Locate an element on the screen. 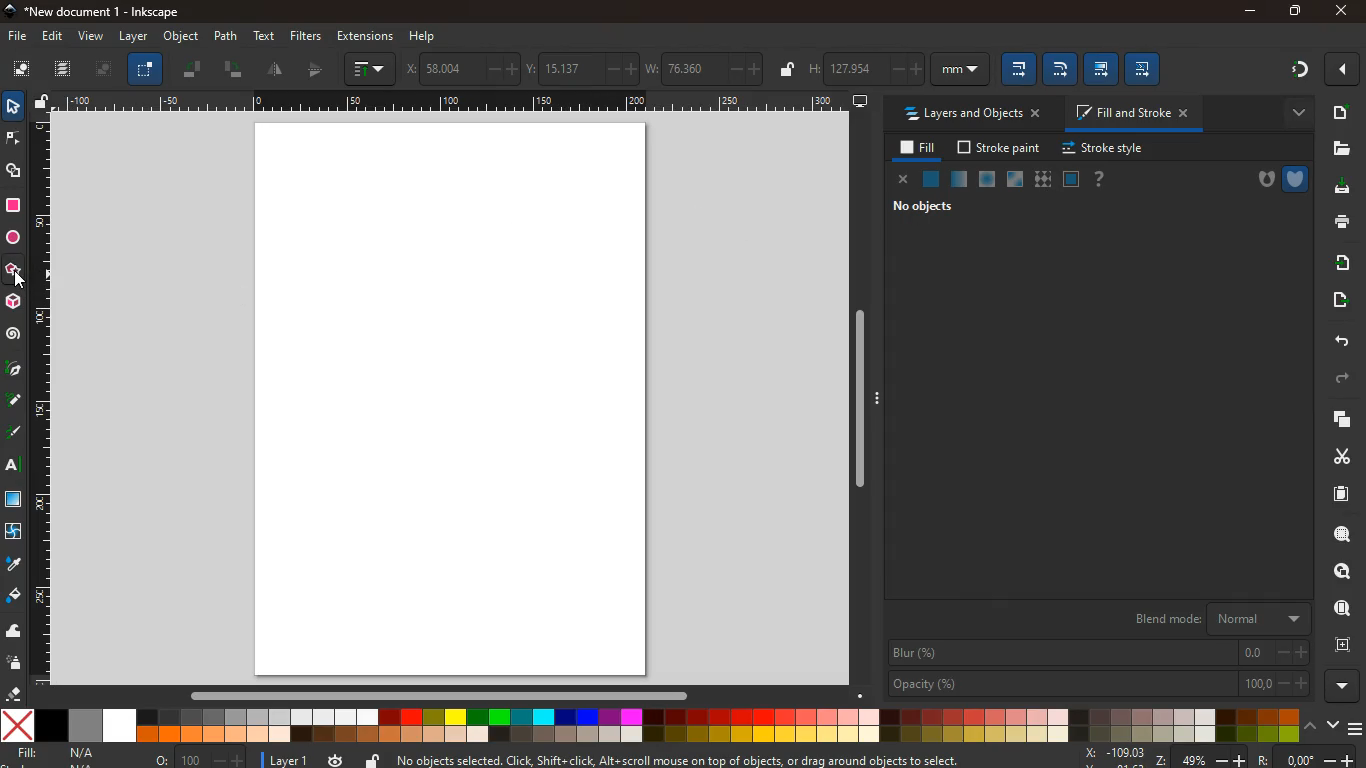 The width and height of the screenshot is (1366, 768). o is located at coordinates (201, 759).